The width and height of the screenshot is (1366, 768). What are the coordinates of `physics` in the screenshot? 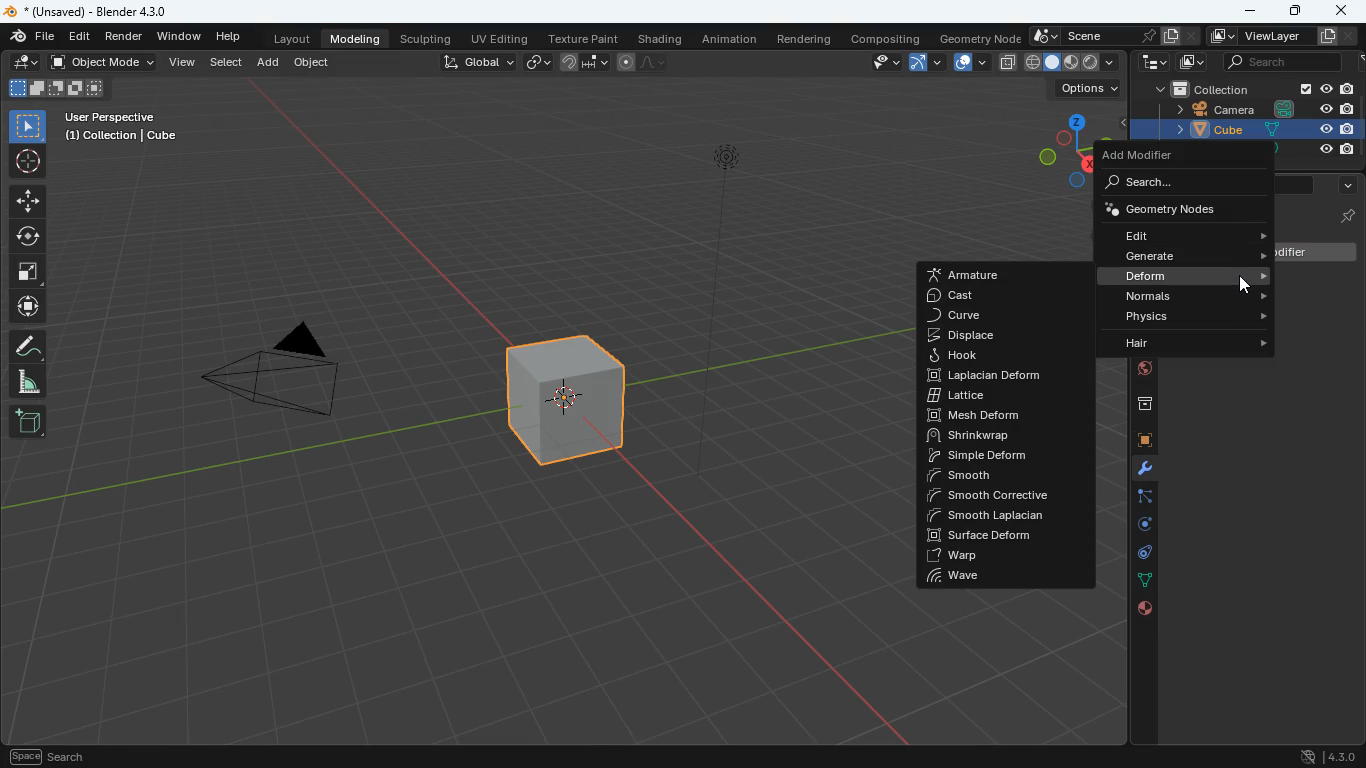 It's located at (1195, 320).